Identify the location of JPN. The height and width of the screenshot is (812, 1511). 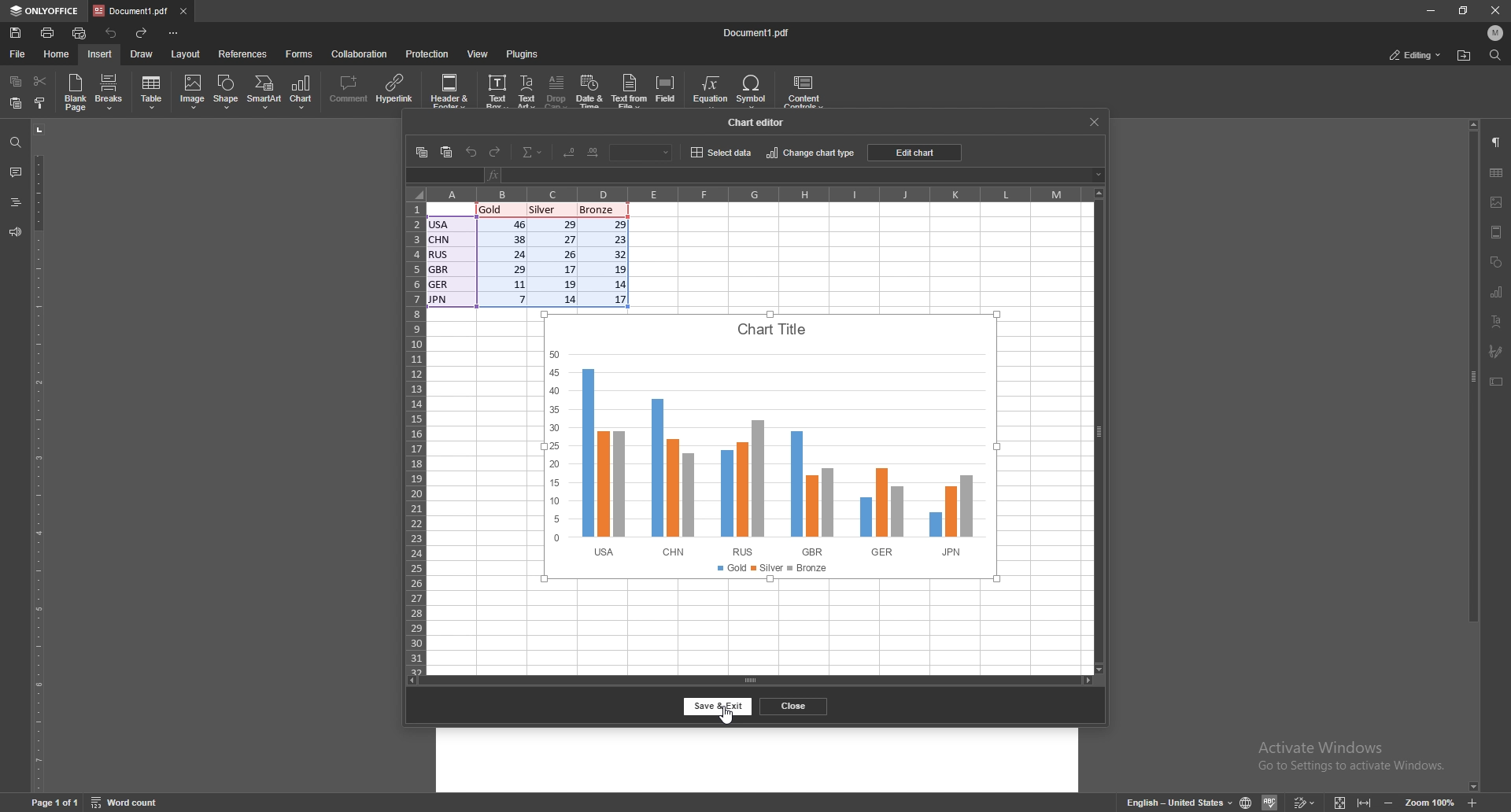
(439, 299).